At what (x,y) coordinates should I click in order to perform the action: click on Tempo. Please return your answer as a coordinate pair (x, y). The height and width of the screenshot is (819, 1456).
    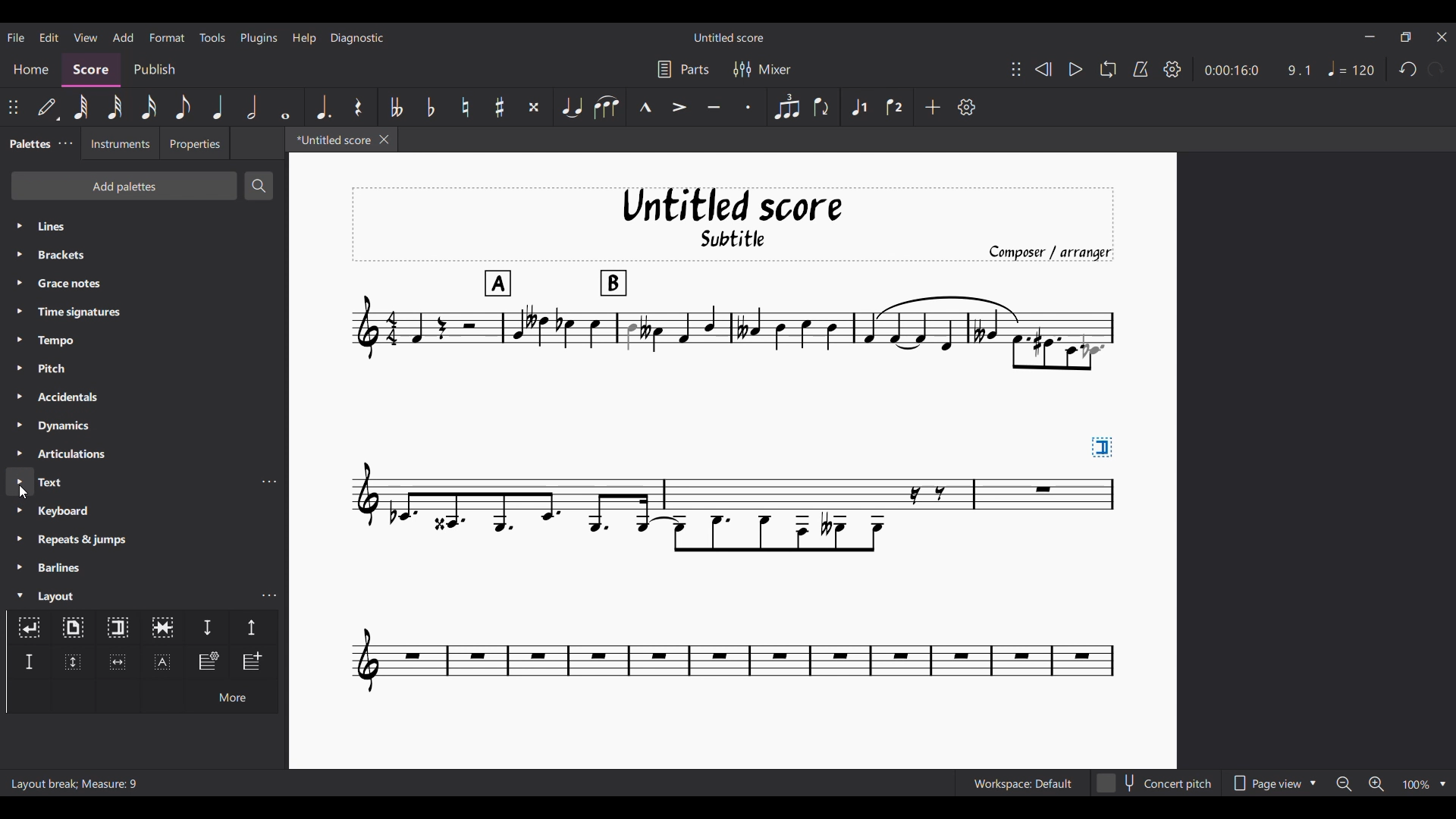
    Looking at the image, I should click on (1351, 69).